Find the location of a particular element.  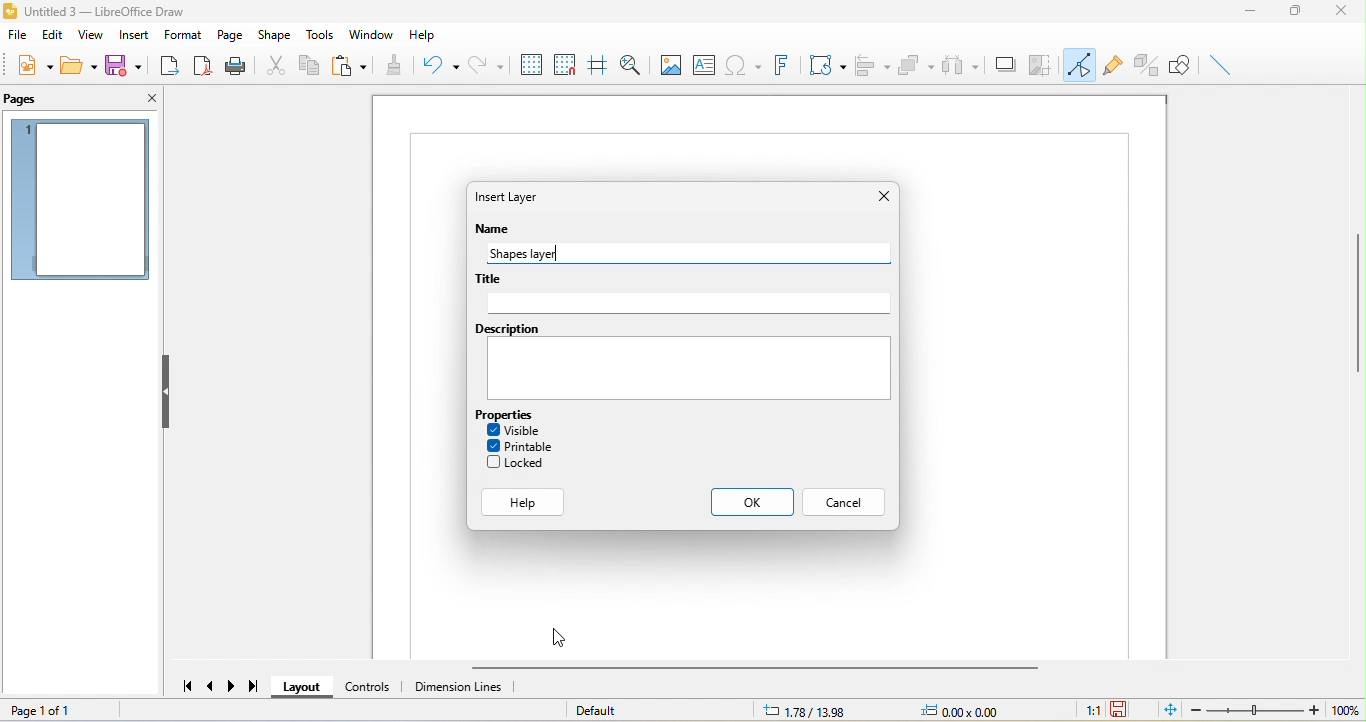

previous page is located at coordinates (211, 688).